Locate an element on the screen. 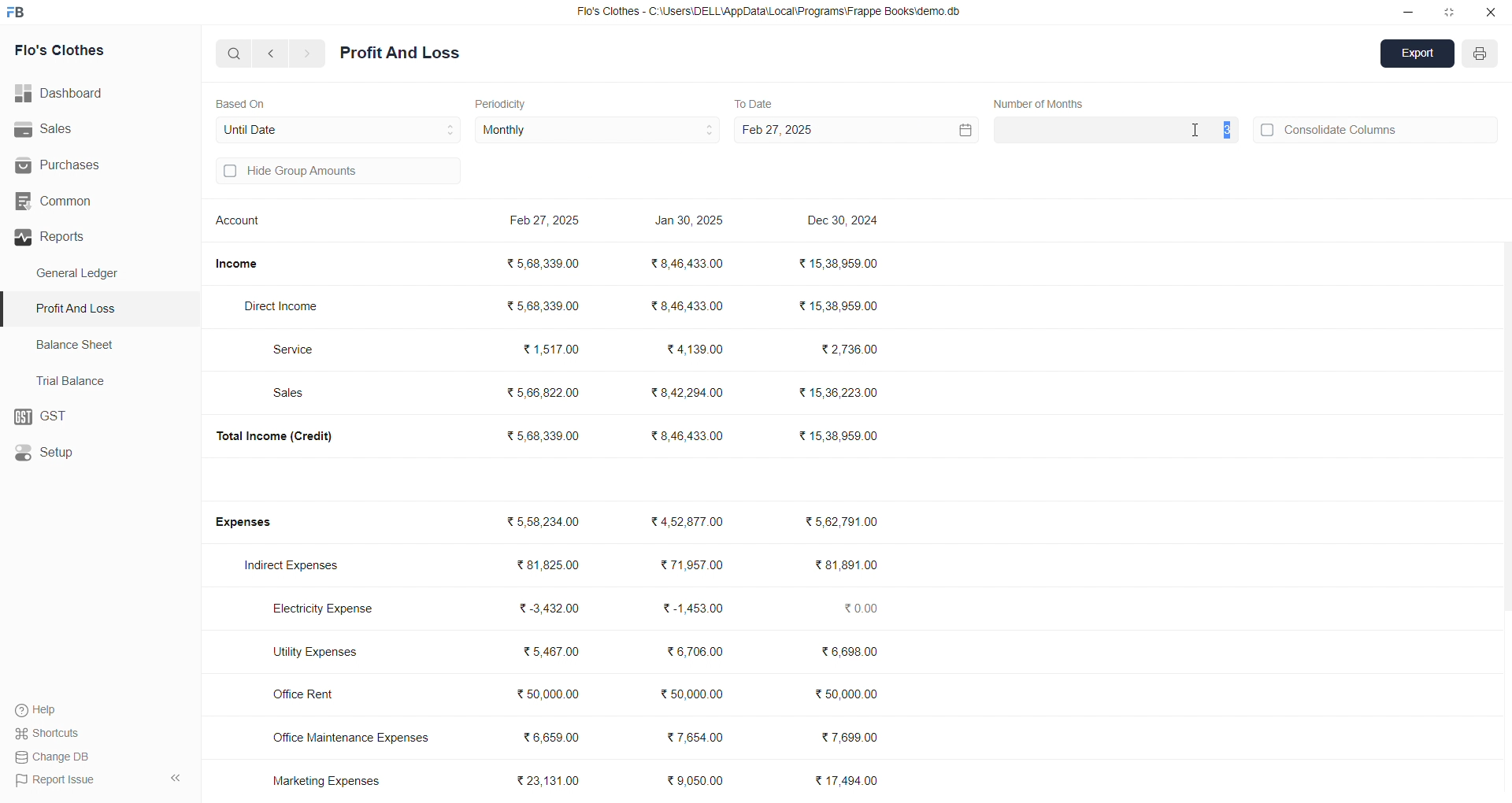 The height and width of the screenshot is (803, 1512). ₹8,42,294.00 is located at coordinates (686, 393).